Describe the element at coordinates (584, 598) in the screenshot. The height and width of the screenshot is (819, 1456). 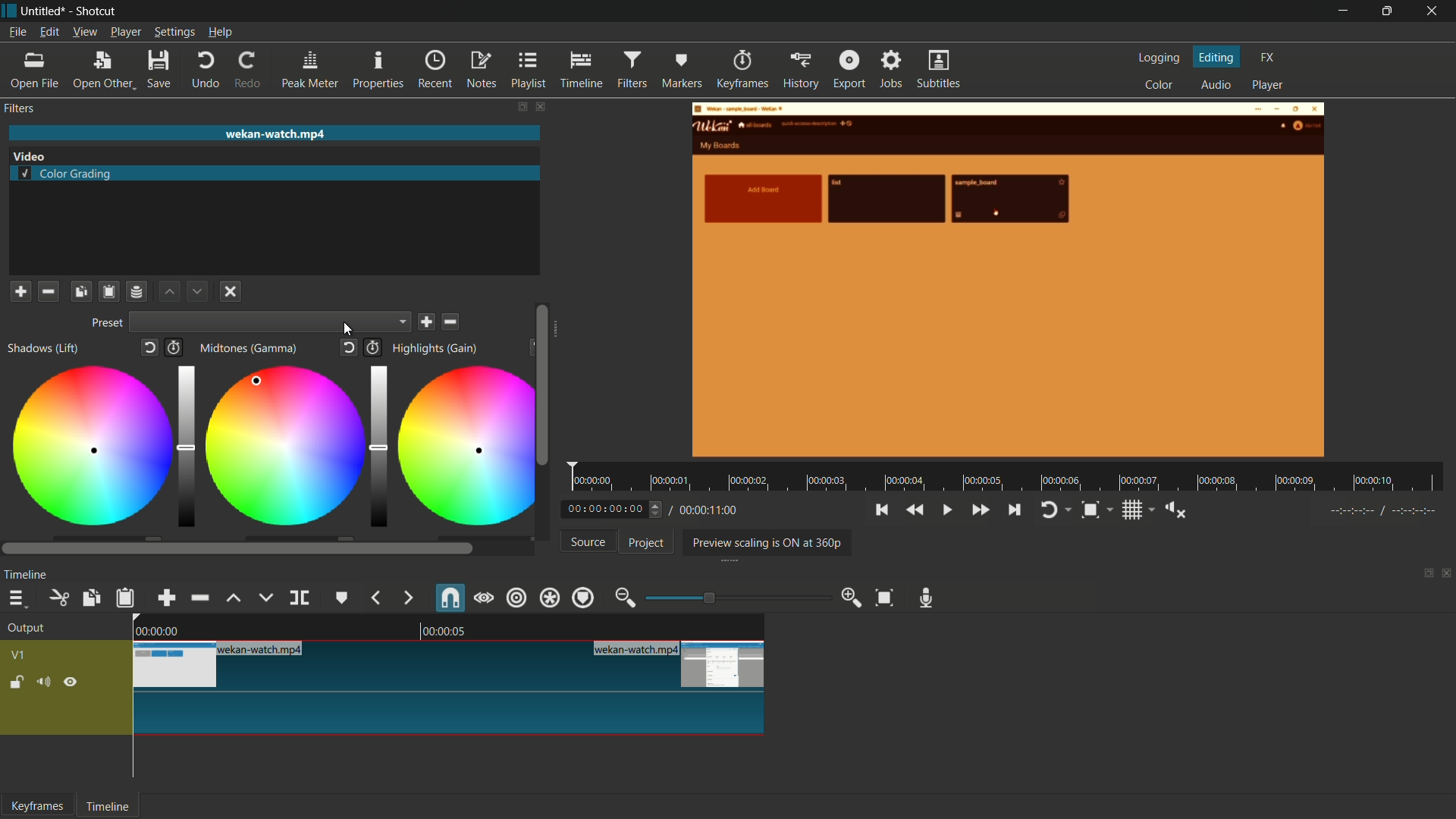
I see `ripple markers` at that location.